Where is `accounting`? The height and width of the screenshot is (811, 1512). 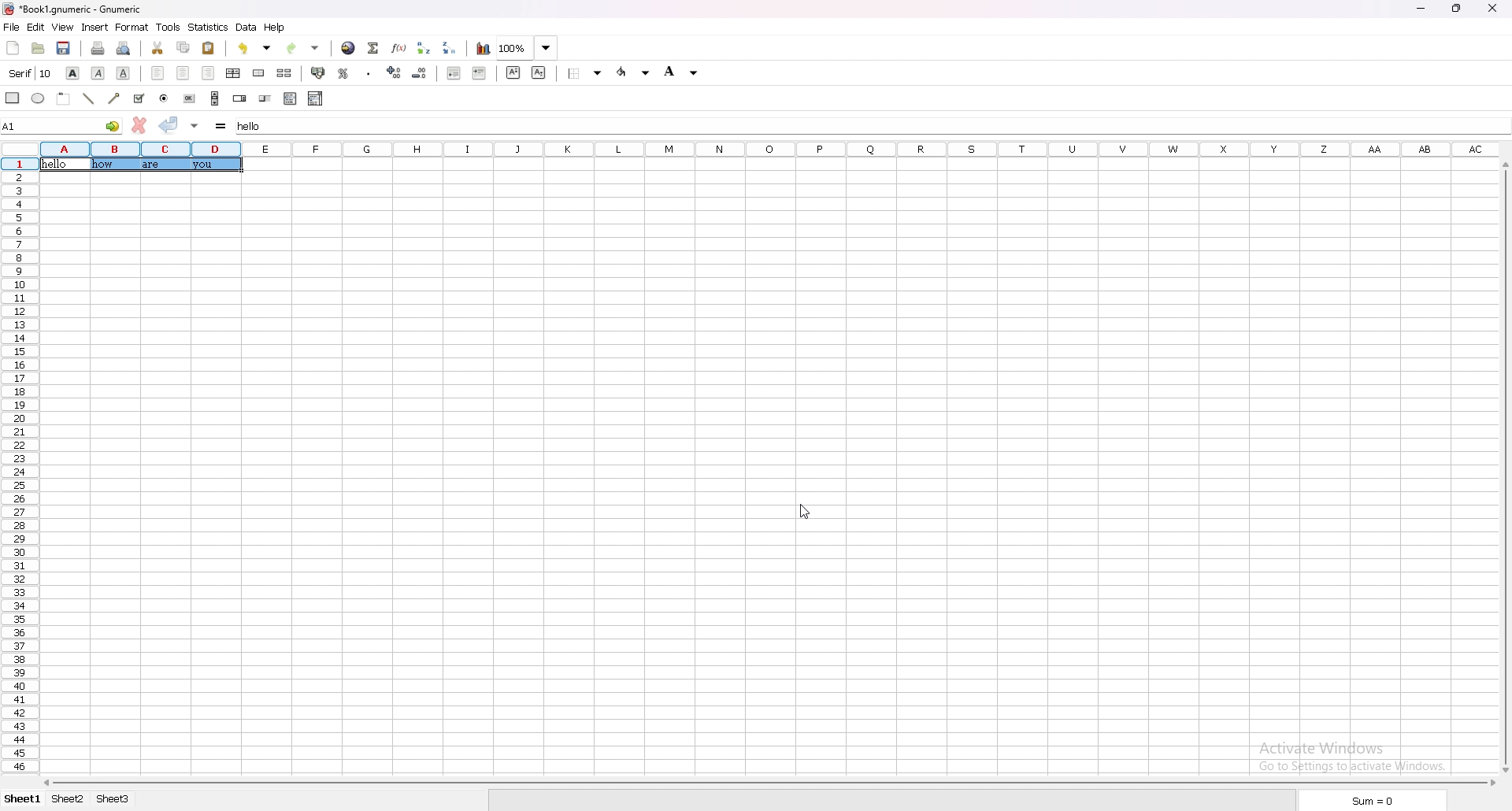 accounting is located at coordinates (321, 73).